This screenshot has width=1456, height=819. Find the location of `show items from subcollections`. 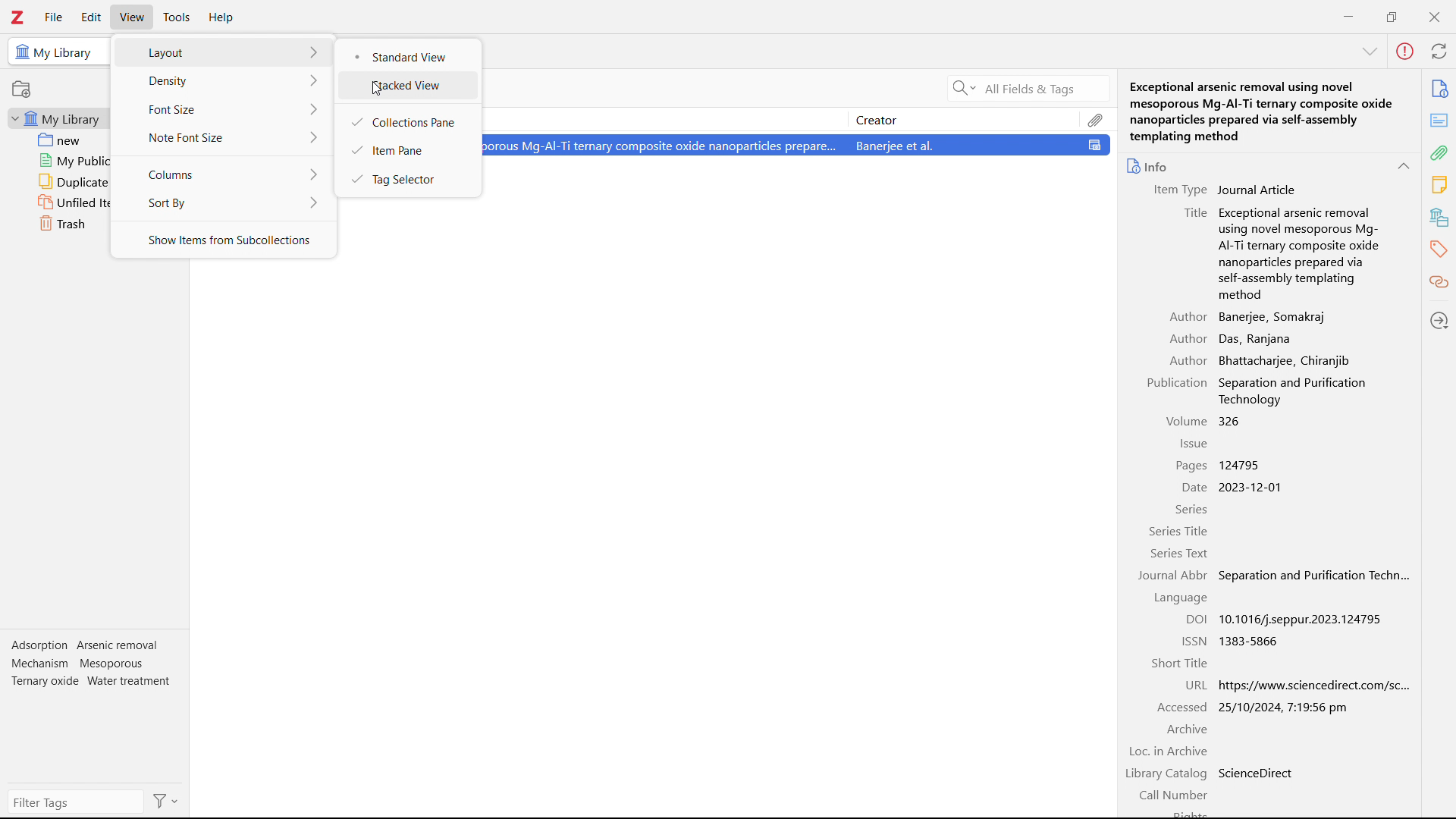

show items from subcollections is located at coordinates (224, 240).